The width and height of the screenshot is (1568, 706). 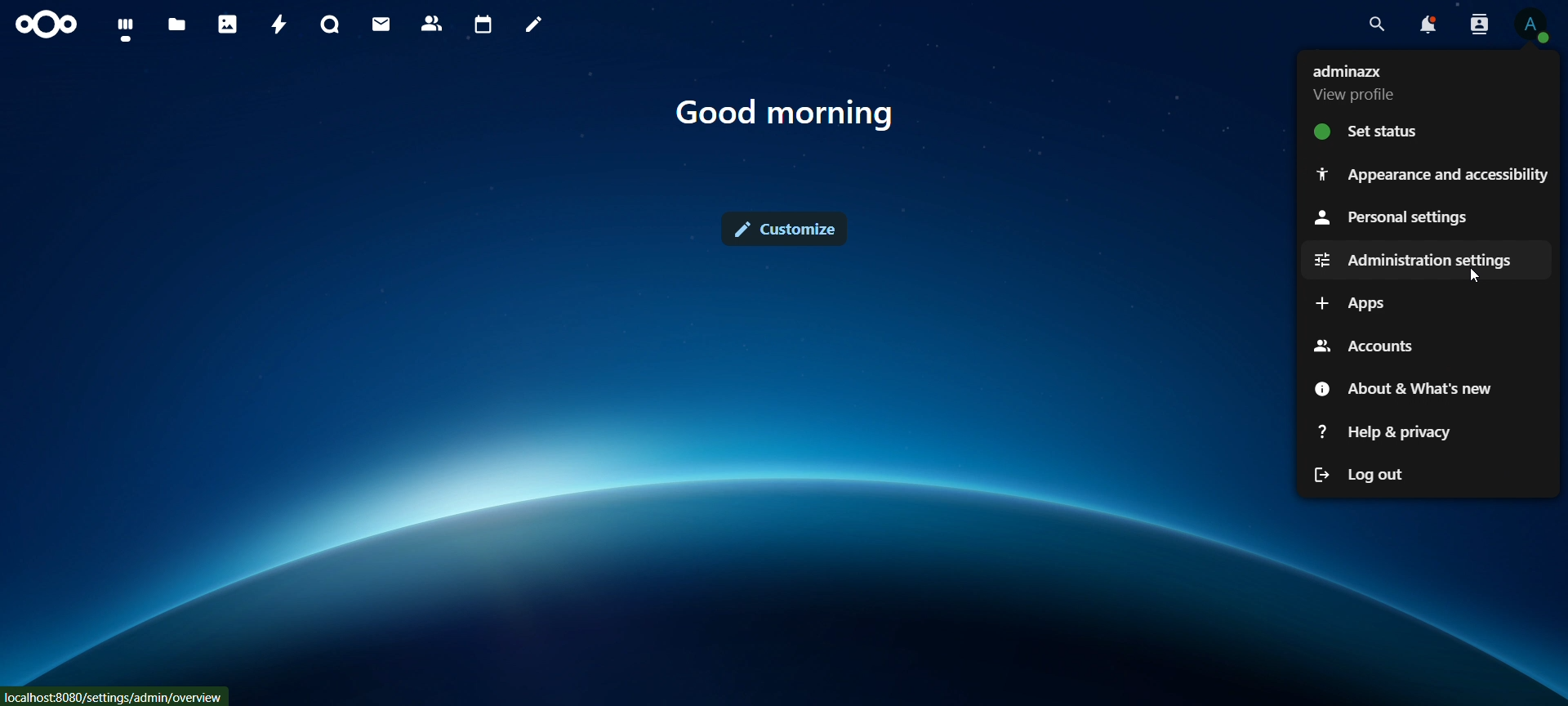 What do you see at coordinates (1427, 25) in the screenshot?
I see `notifications` at bounding box center [1427, 25].